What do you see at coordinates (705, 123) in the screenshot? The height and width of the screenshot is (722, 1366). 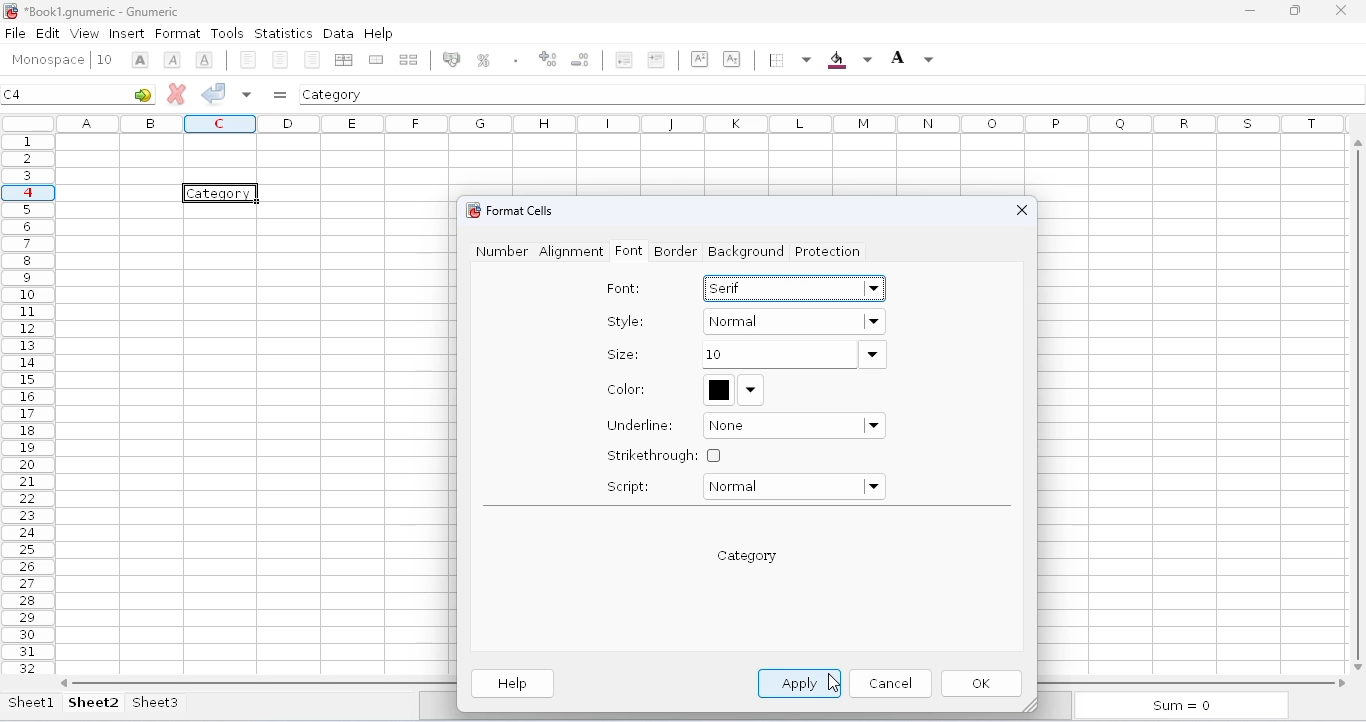 I see `columns` at bounding box center [705, 123].